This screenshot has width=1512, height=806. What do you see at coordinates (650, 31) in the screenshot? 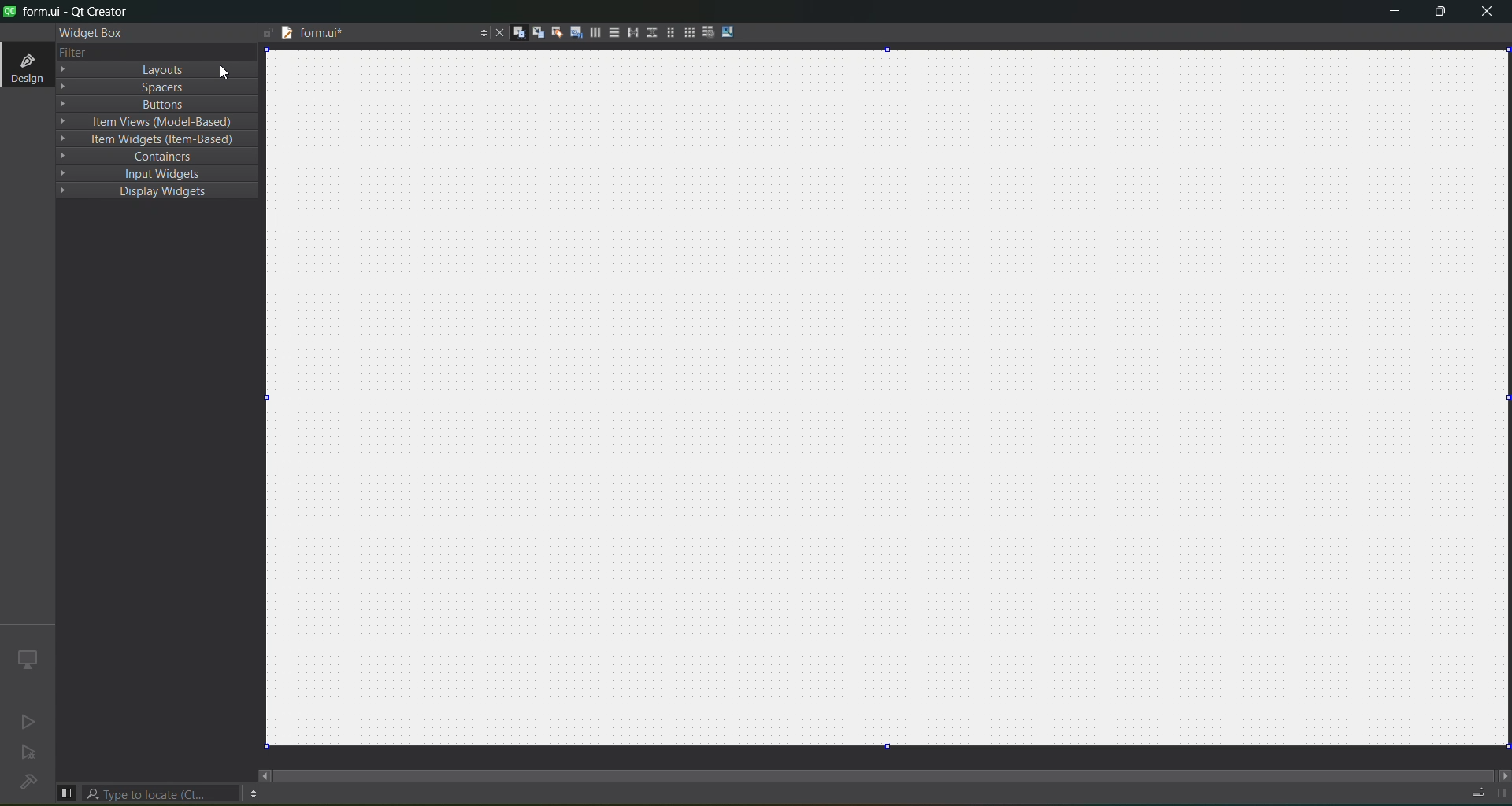
I see `vertical splitter` at bounding box center [650, 31].